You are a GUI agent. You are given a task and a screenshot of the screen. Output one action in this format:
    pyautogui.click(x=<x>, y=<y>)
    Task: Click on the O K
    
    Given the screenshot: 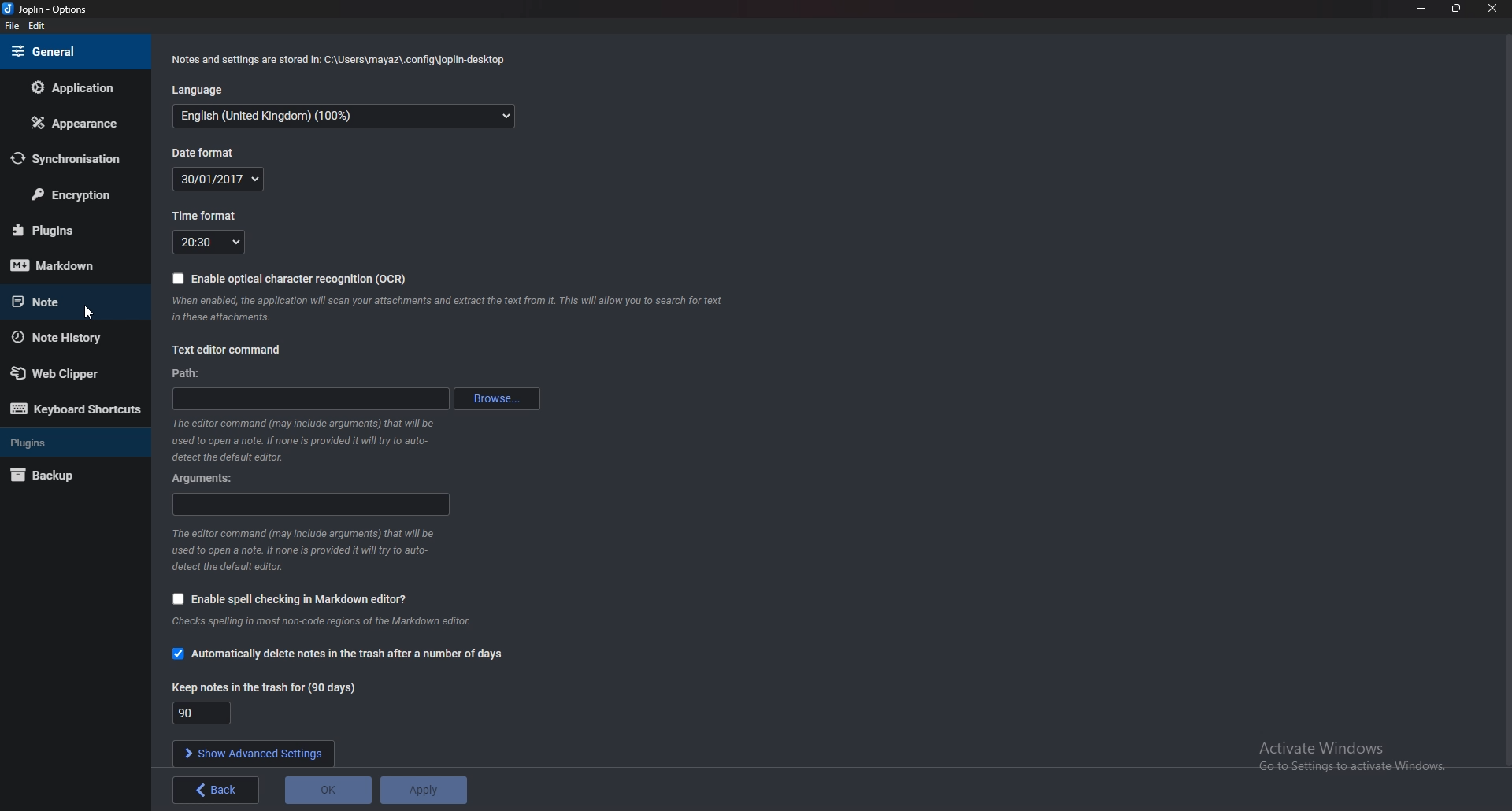 What is the action you would take?
    pyautogui.click(x=330, y=789)
    